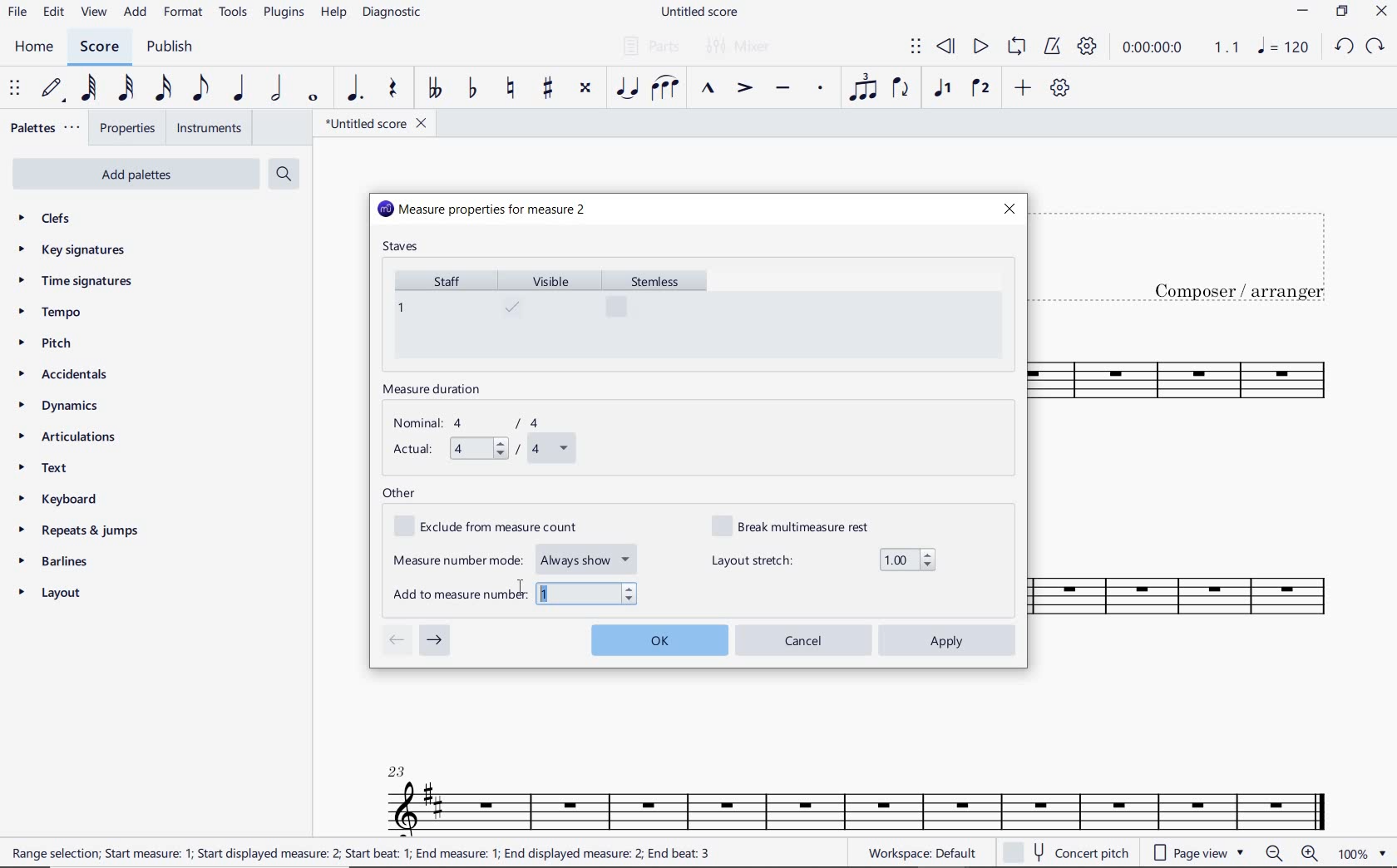 The height and width of the screenshot is (868, 1397). Describe the element at coordinates (161, 89) in the screenshot. I see `16TH NOTE` at that location.